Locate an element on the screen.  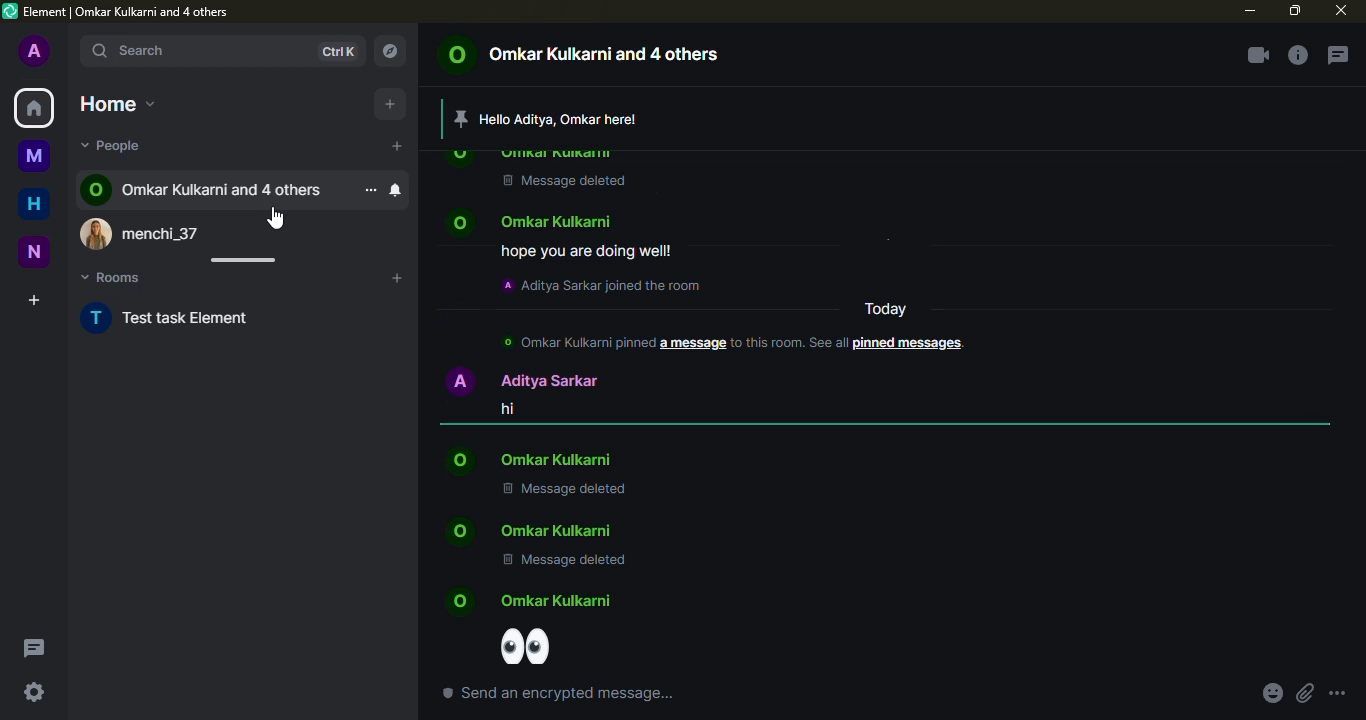
attach is located at coordinates (1304, 694).